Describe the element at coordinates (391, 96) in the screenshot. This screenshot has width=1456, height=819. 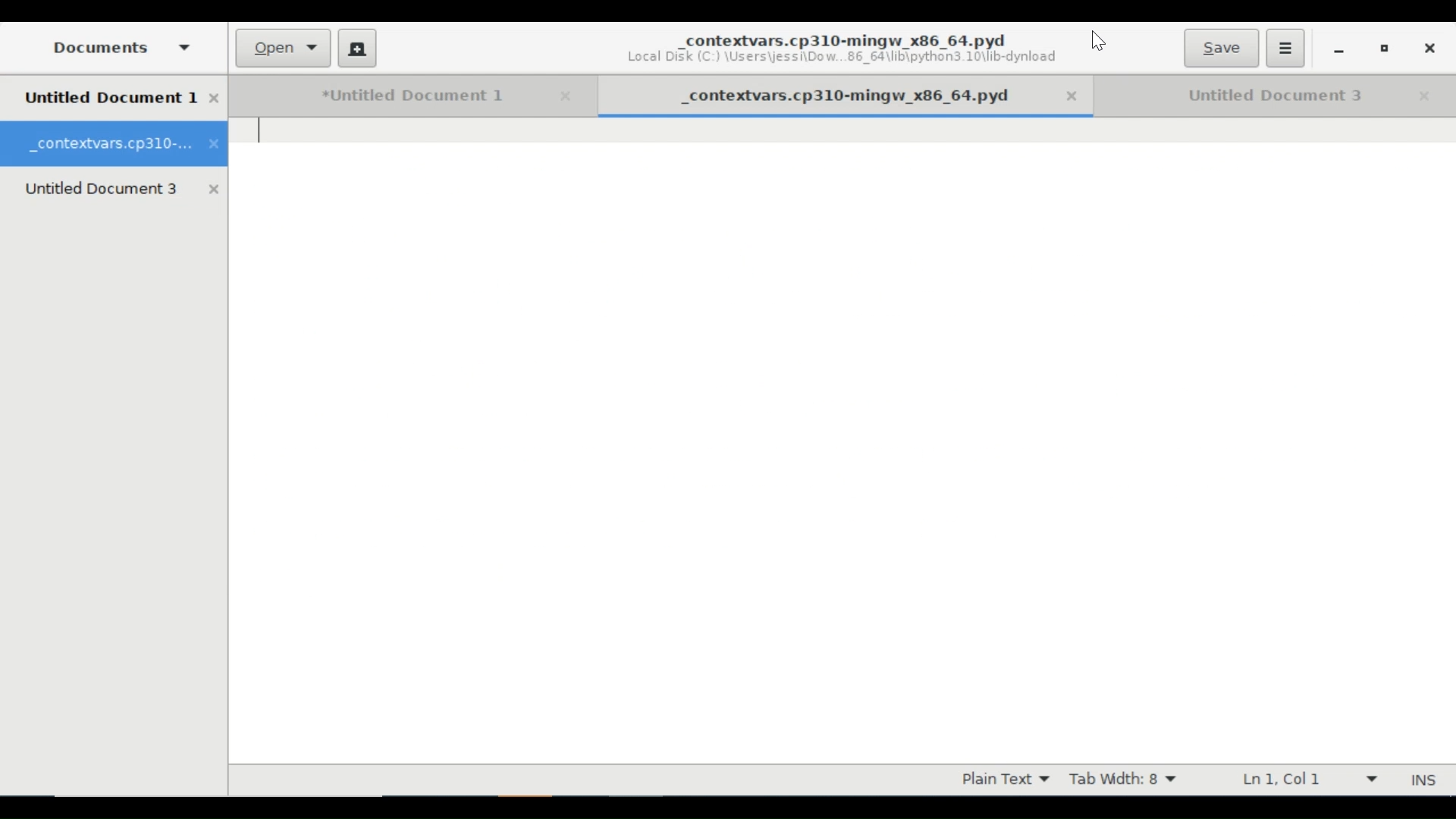
I see `Untitled Document 1` at that location.